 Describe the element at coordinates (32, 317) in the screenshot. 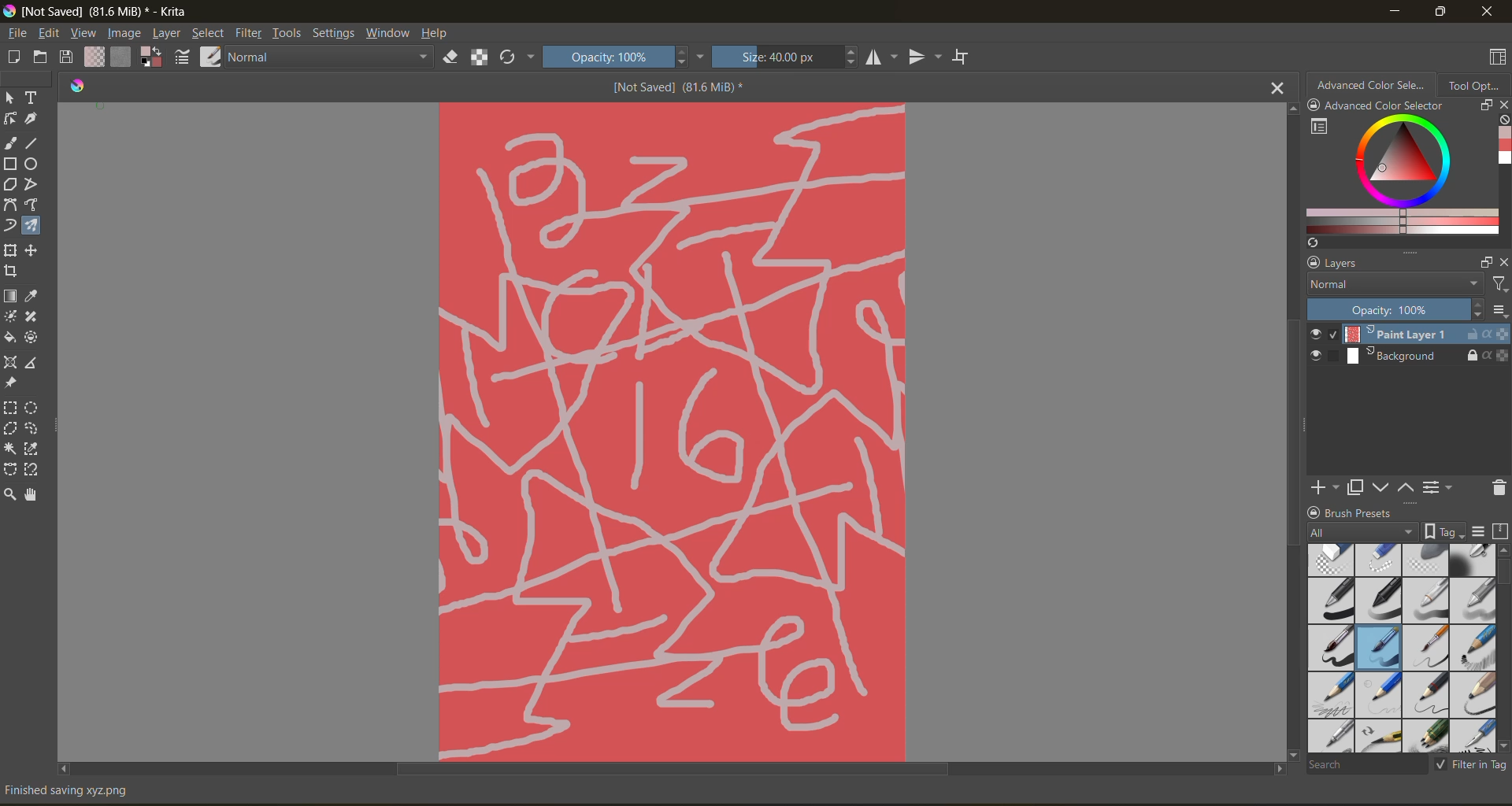

I see `tool` at that location.